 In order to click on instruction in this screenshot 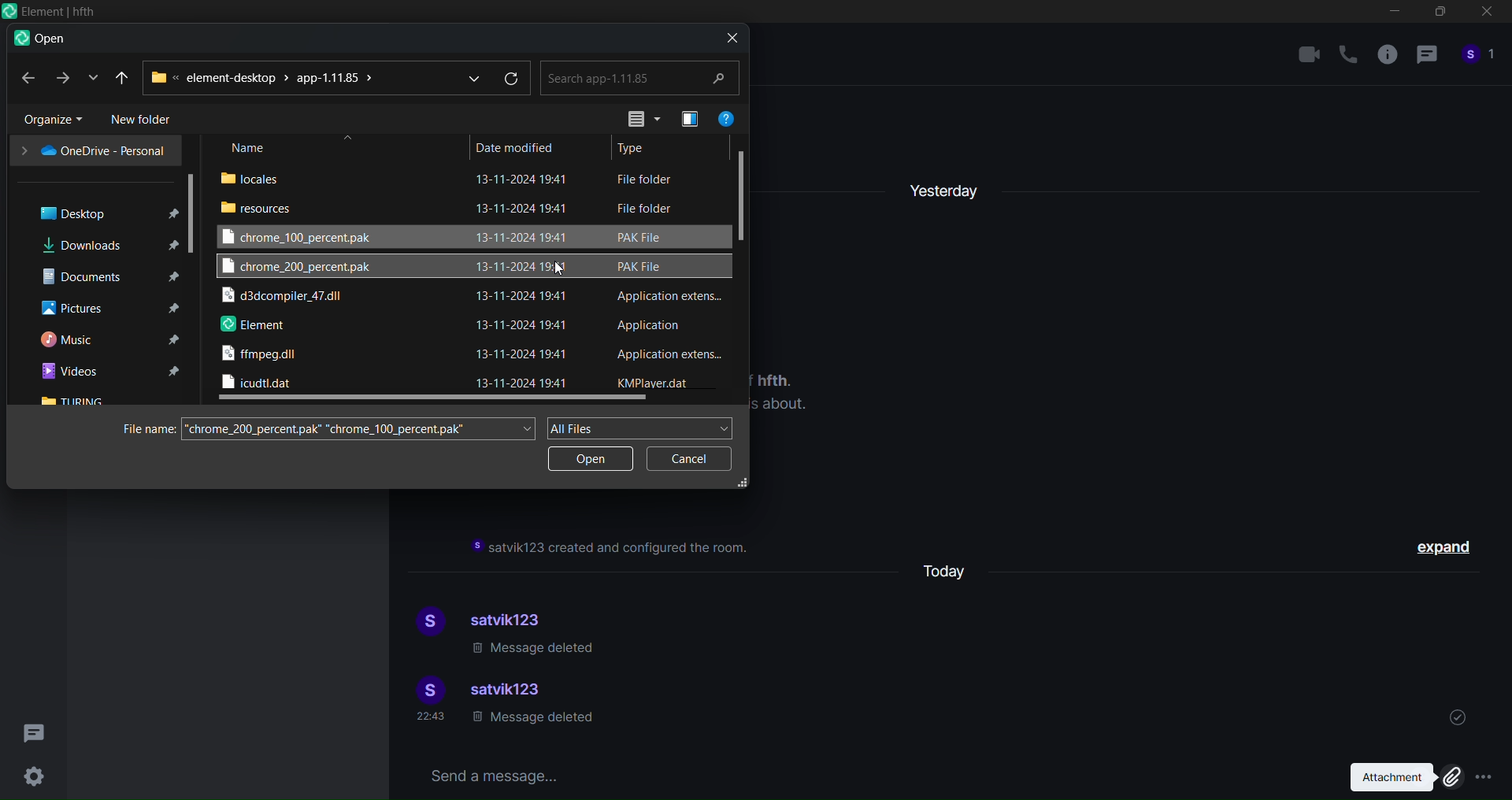, I will do `click(613, 548)`.